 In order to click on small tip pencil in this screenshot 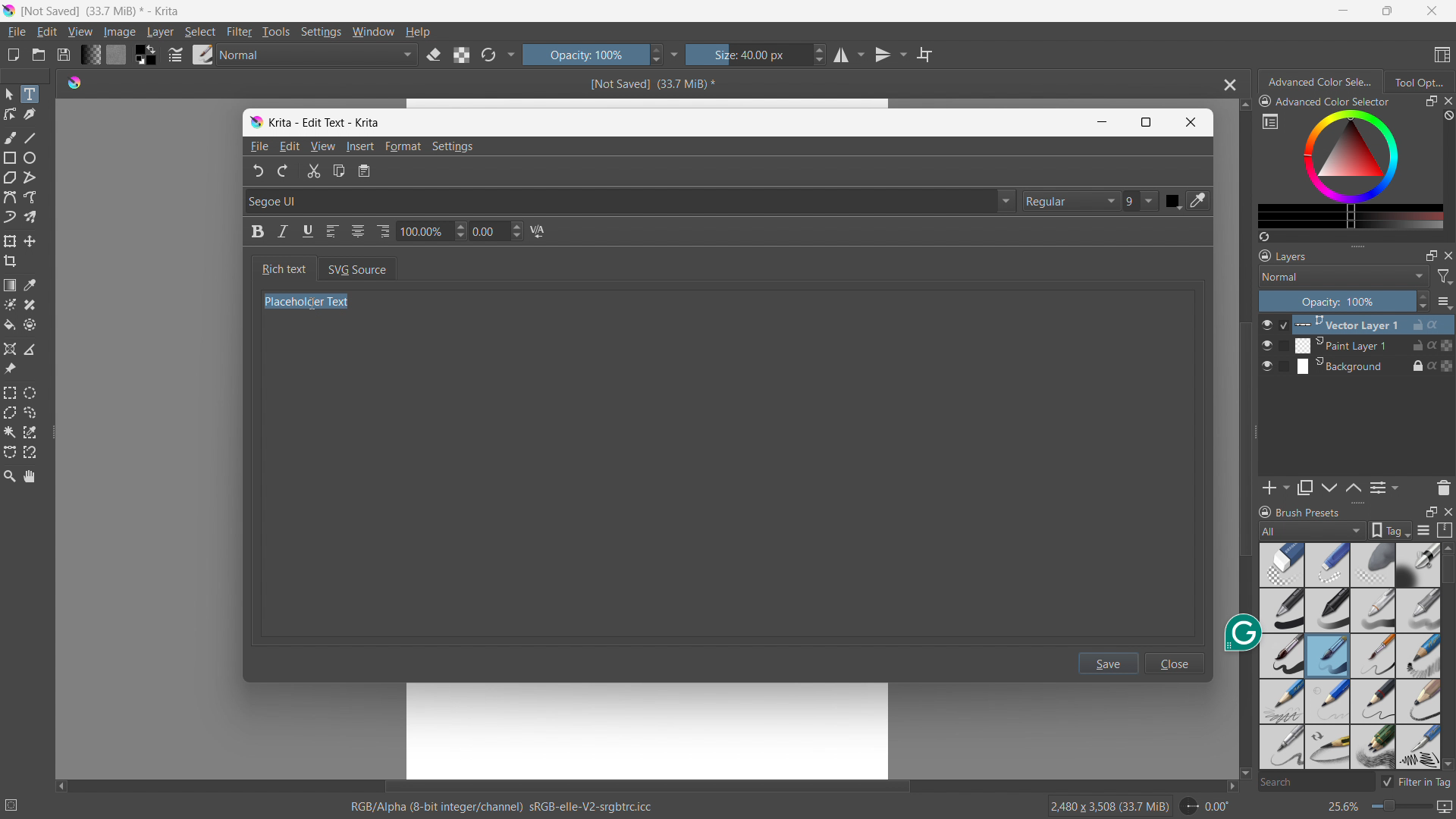, I will do `click(1327, 748)`.